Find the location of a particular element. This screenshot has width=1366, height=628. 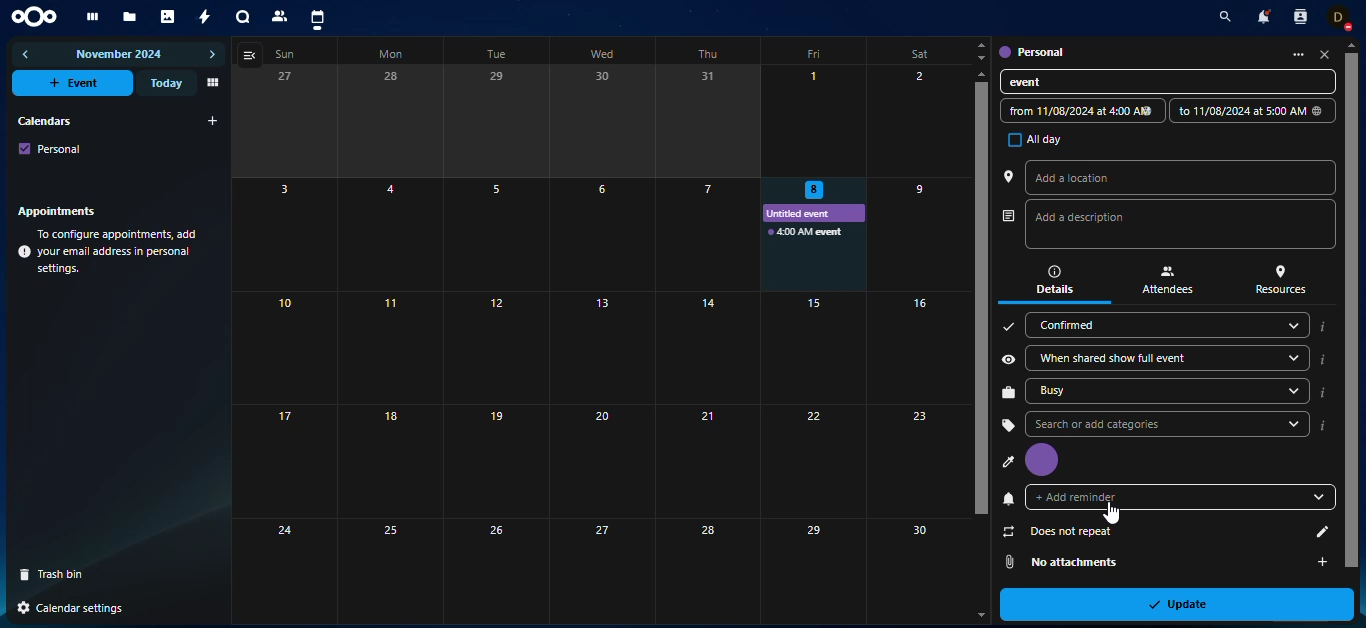

scroll bar is located at coordinates (1350, 301).